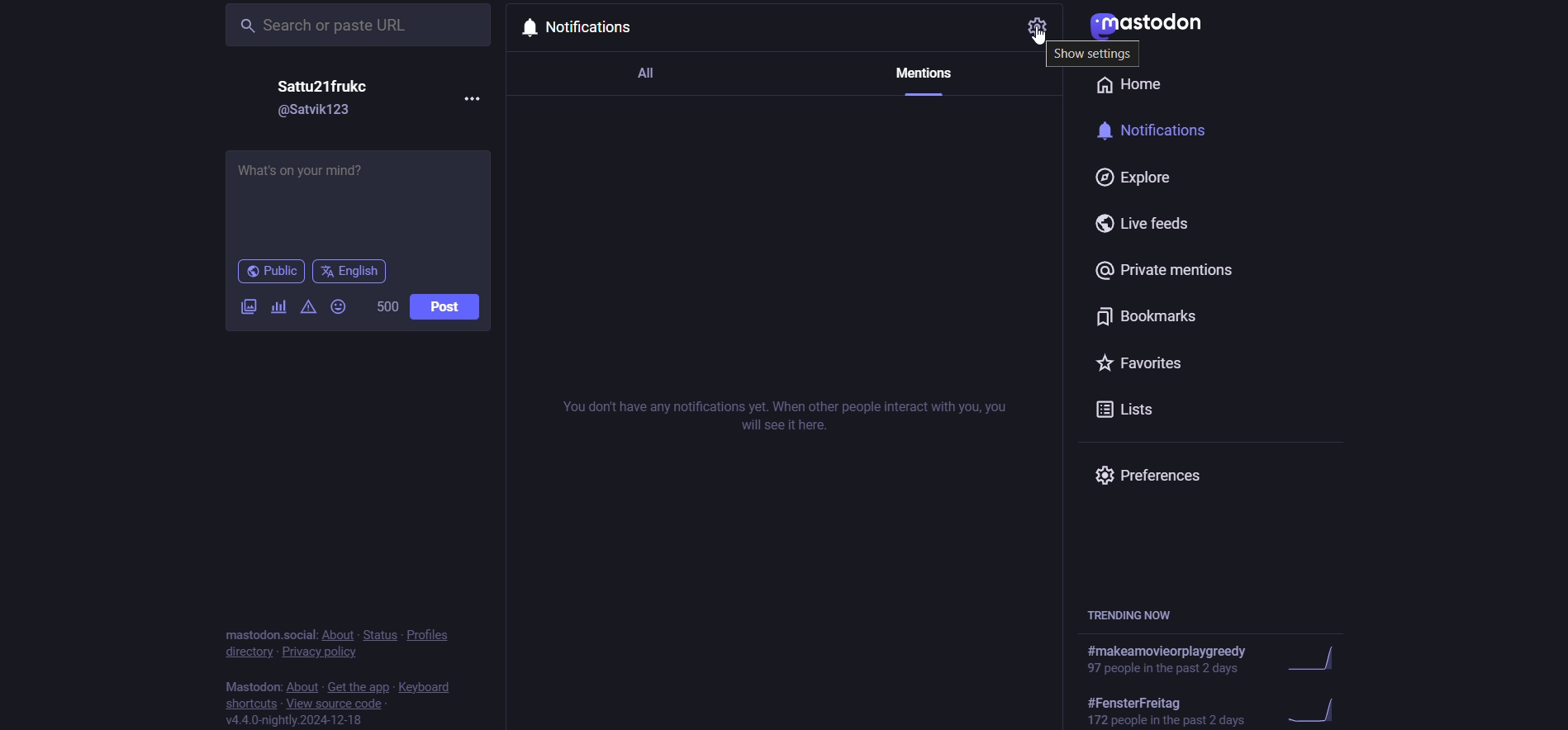 Image resolution: width=1568 pixels, height=730 pixels. Describe the element at coordinates (1131, 614) in the screenshot. I see `TRENDING NOW` at that location.